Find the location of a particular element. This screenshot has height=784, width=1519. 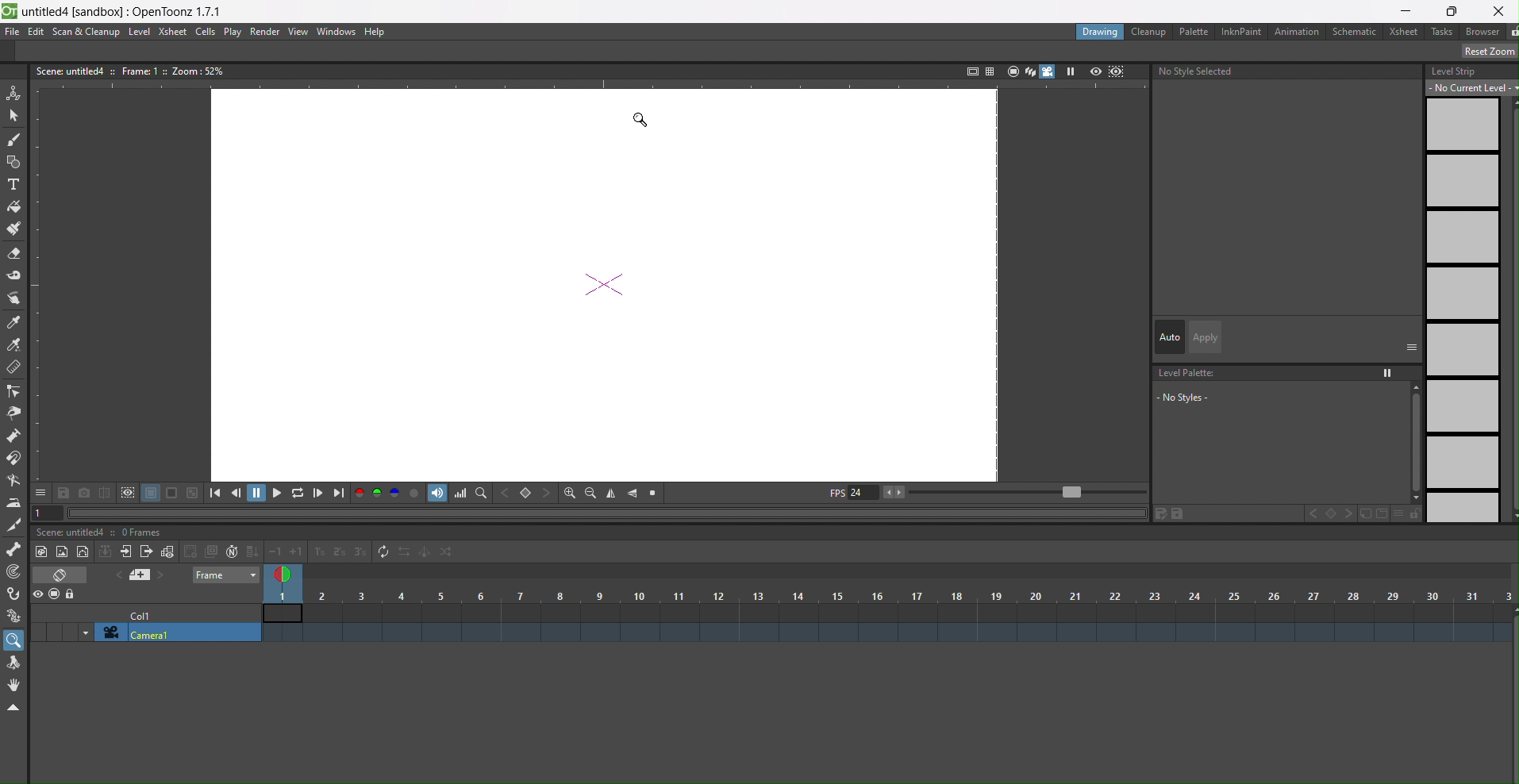

auto is located at coordinates (1169, 336).